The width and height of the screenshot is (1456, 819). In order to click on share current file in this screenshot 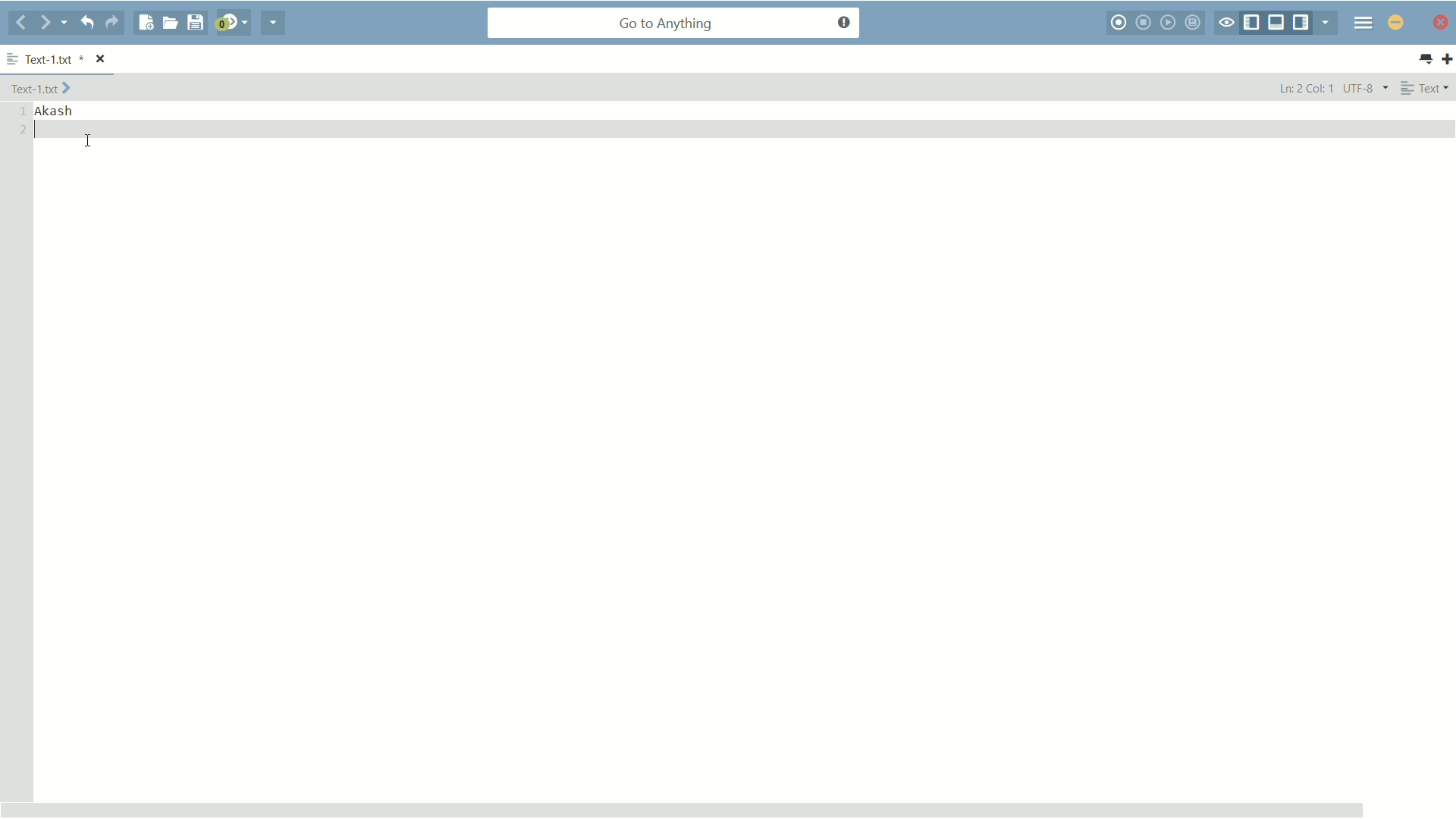, I will do `click(272, 24)`.